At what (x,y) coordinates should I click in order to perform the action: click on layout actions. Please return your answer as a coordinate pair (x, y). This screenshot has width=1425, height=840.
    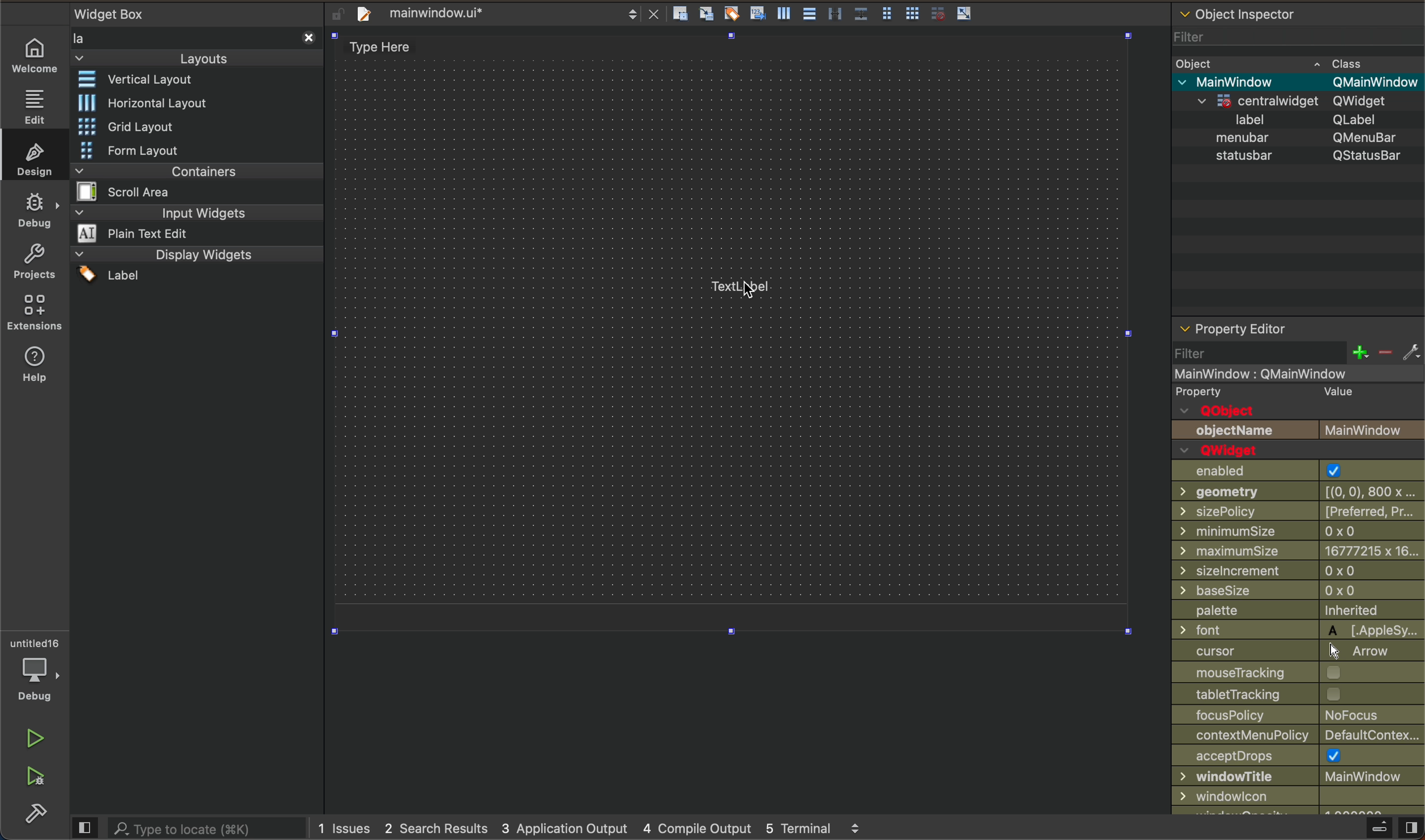
    Looking at the image, I should click on (834, 12).